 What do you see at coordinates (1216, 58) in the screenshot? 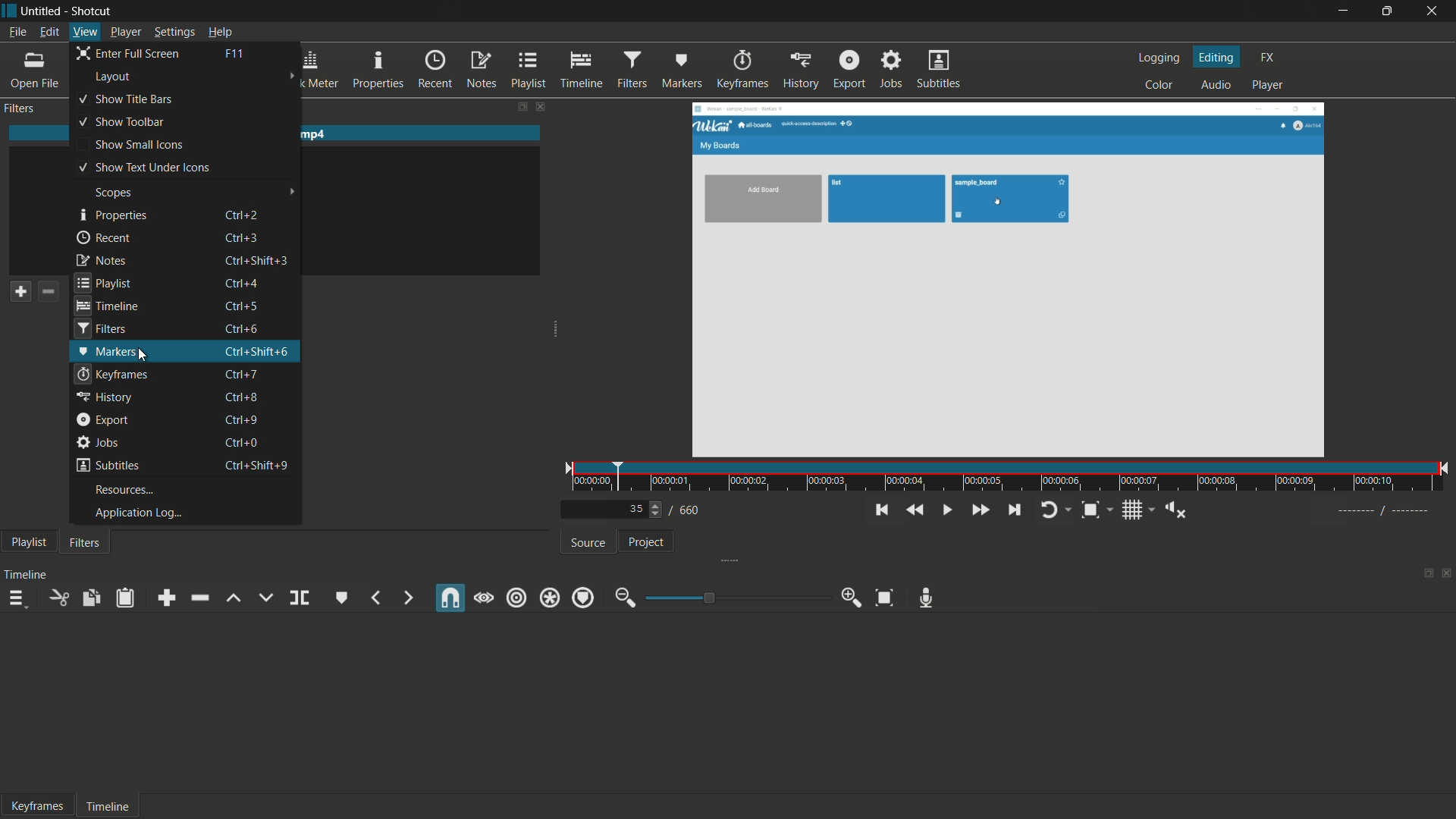
I see `editing` at bounding box center [1216, 58].